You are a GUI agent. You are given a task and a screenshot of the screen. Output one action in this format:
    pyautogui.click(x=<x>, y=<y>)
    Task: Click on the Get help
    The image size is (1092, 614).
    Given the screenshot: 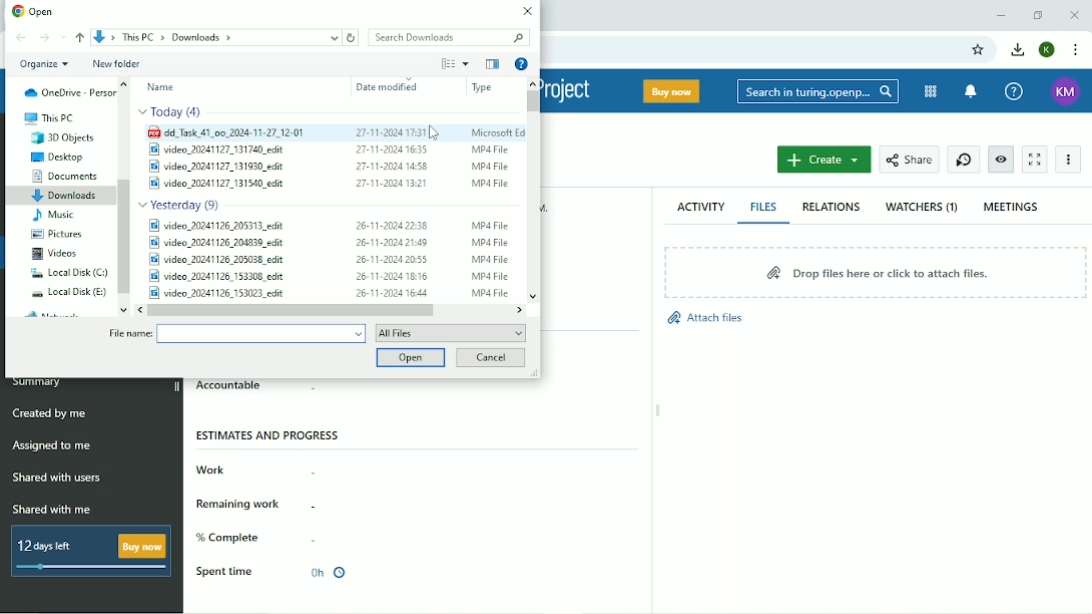 What is the action you would take?
    pyautogui.click(x=522, y=63)
    